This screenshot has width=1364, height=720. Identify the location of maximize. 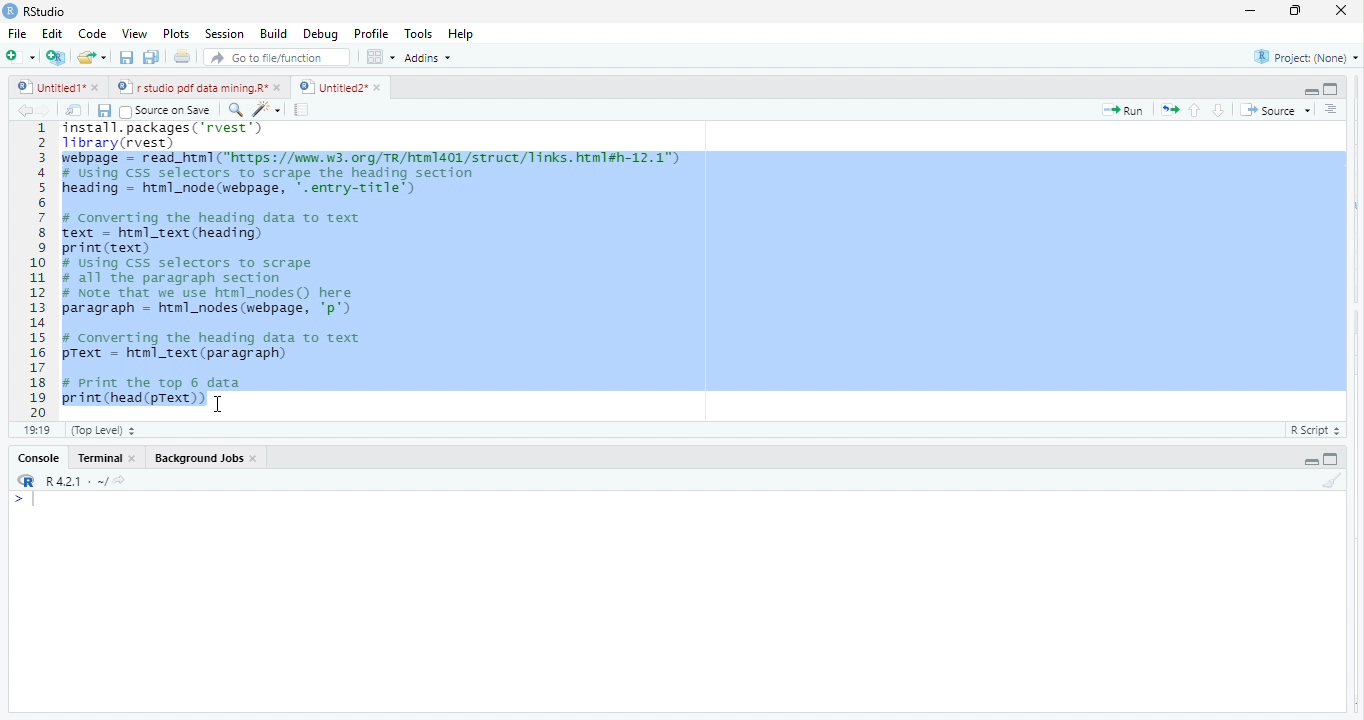
(1248, 13).